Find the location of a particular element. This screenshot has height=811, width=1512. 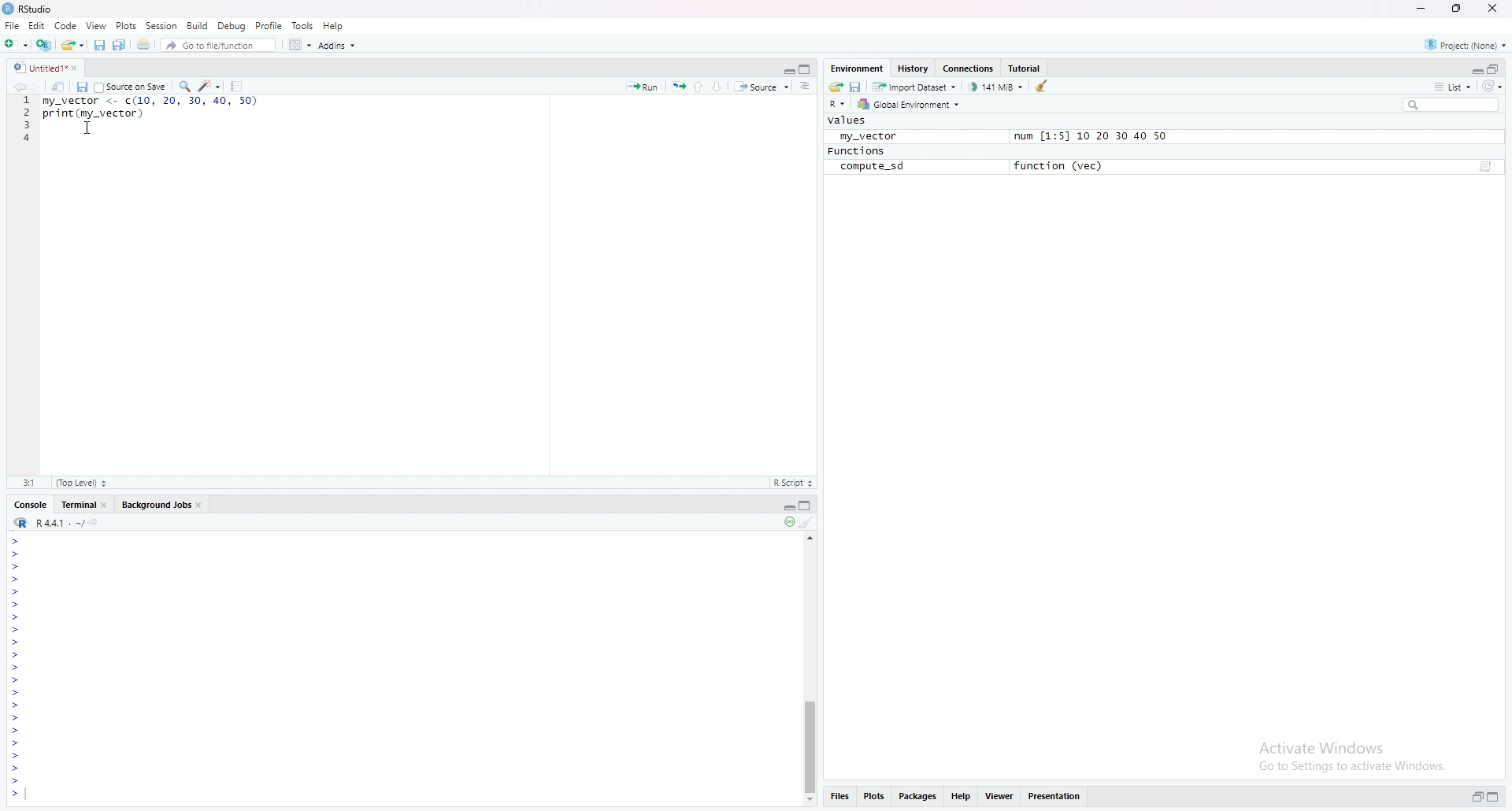

Help is located at coordinates (960, 795).